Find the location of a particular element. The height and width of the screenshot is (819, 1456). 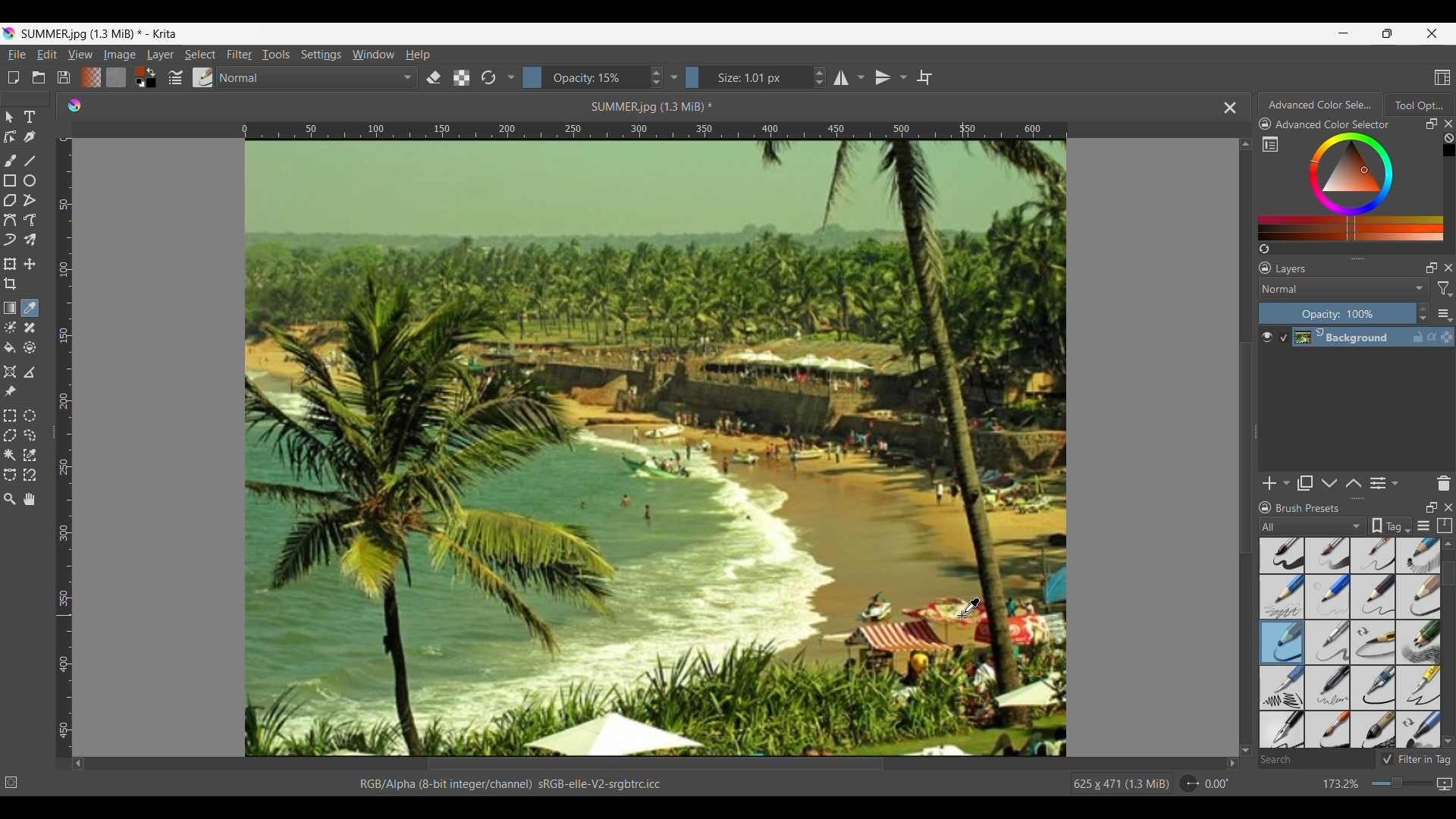

Display settings is located at coordinates (1424, 526).